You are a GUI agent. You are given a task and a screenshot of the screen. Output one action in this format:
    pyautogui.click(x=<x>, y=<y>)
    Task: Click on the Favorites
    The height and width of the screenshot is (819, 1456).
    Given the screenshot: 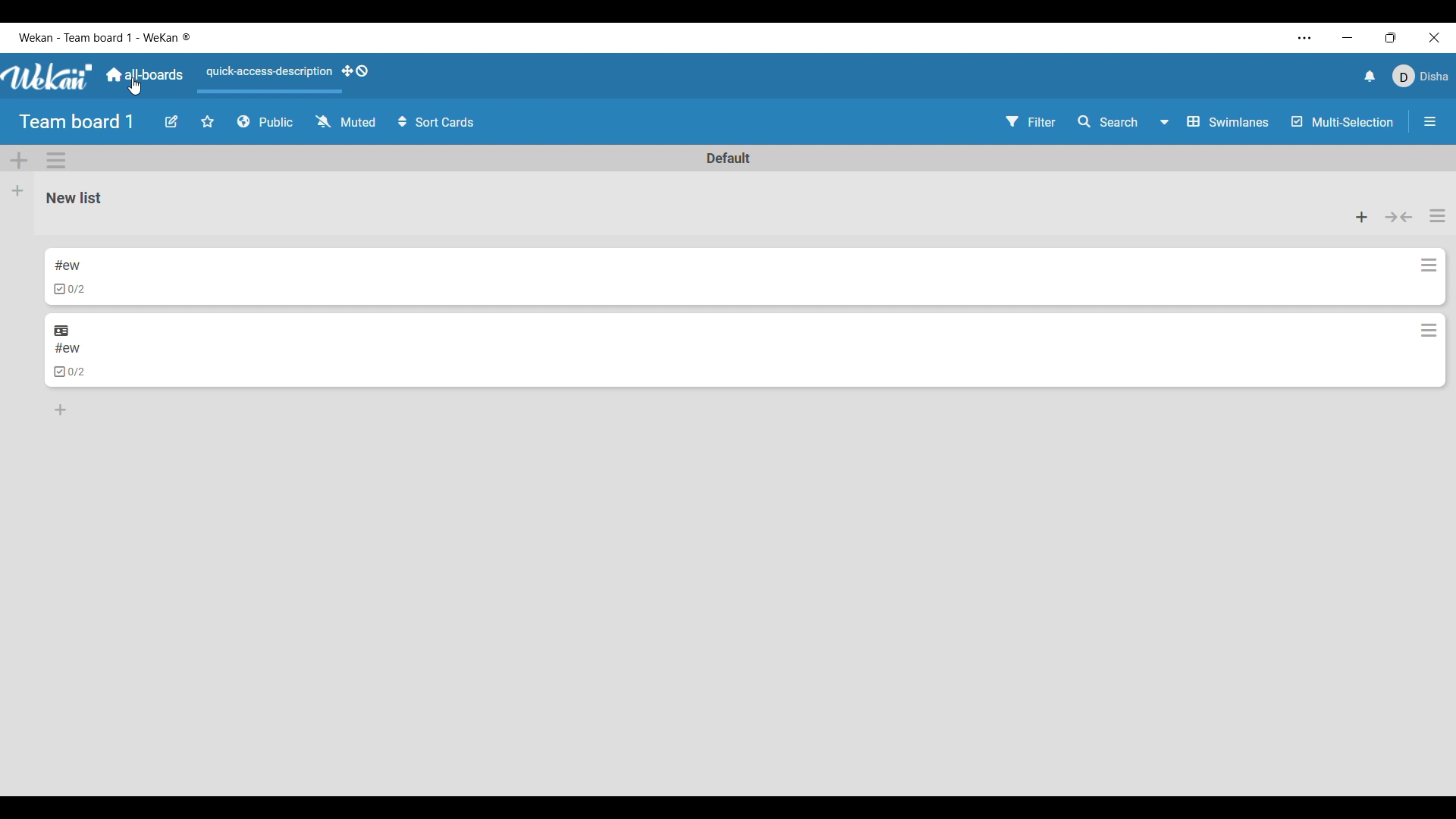 What is the action you would take?
    pyautogui.click(x=207, y=121)
    